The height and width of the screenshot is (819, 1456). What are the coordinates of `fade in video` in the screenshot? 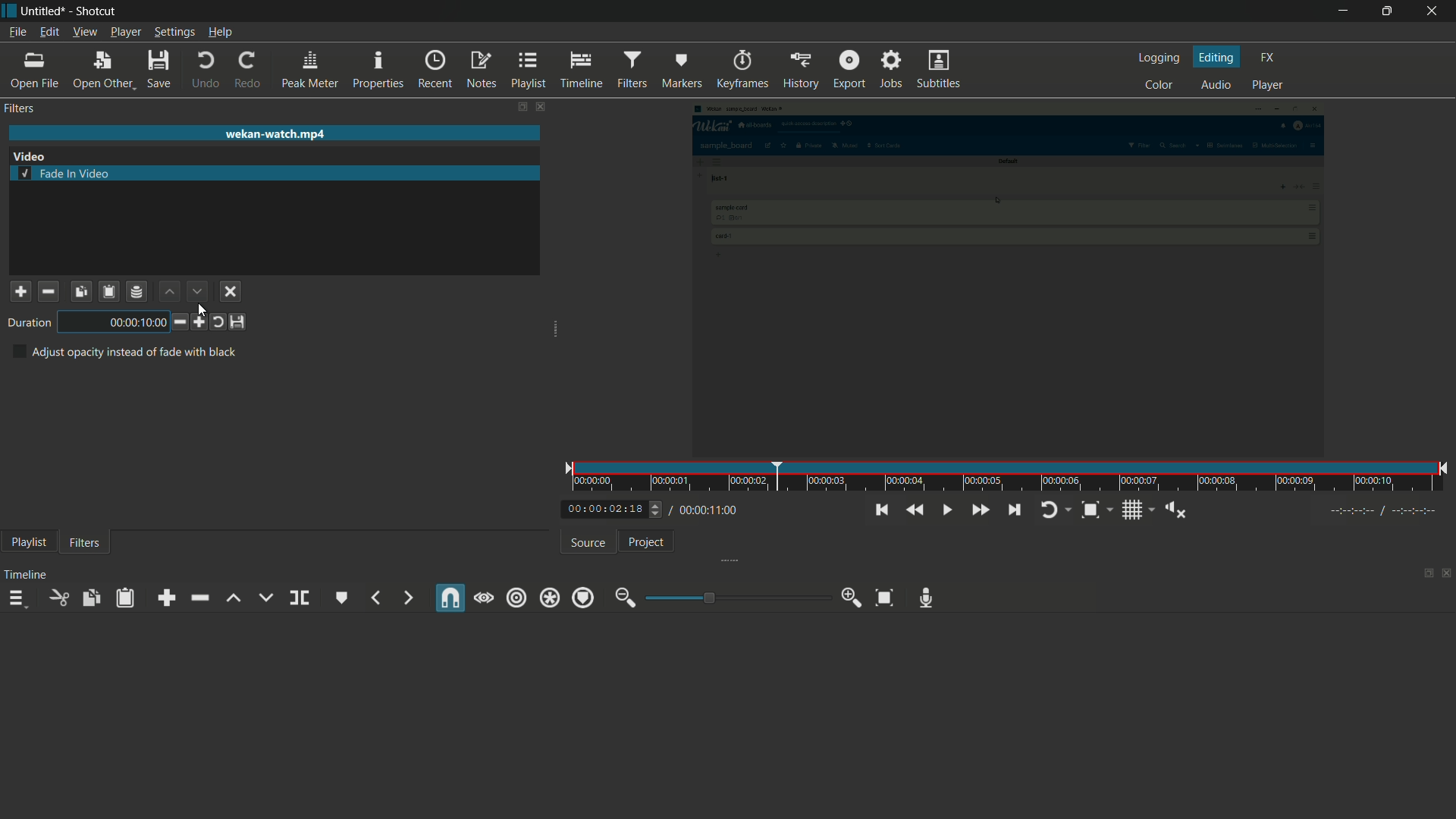 It's located at (66, 173).